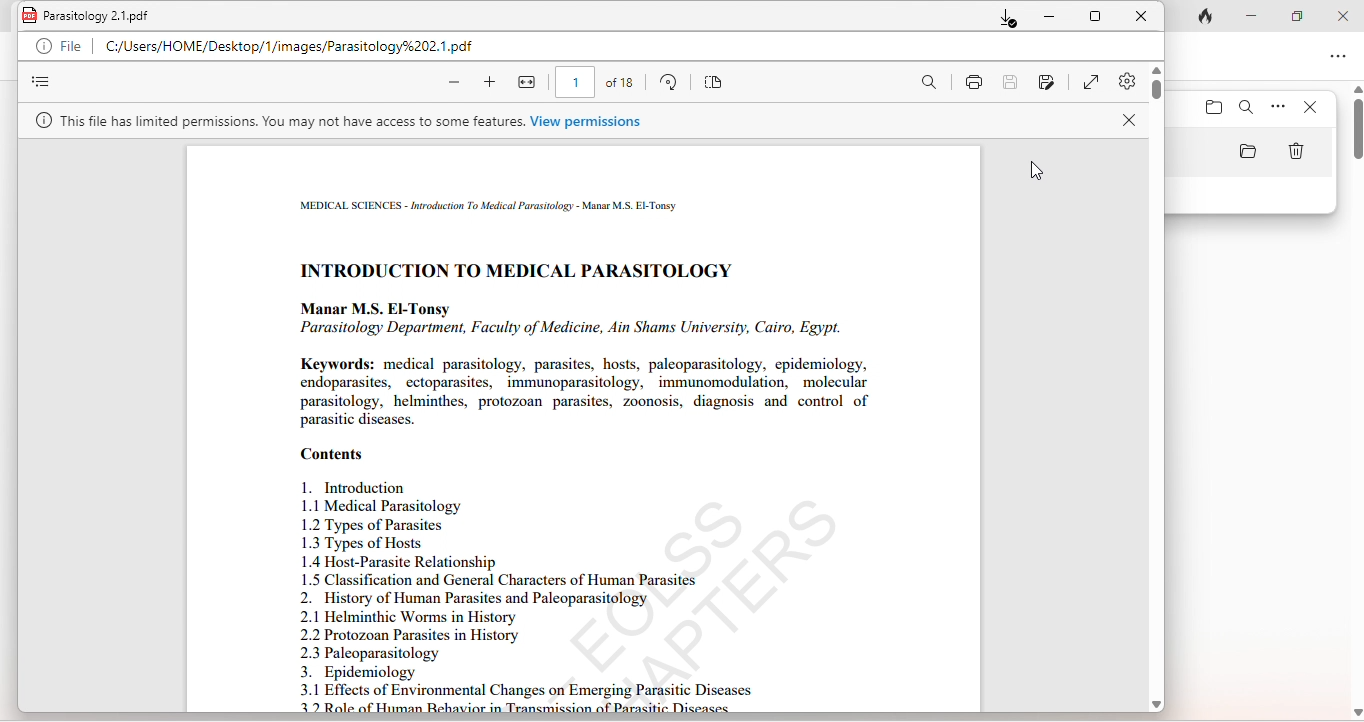 This screenshot has height=722, width=1364. What do you see at coordinates (1134, 121) in the screenshot?
I see `close` at bounding box center [1134, 121].